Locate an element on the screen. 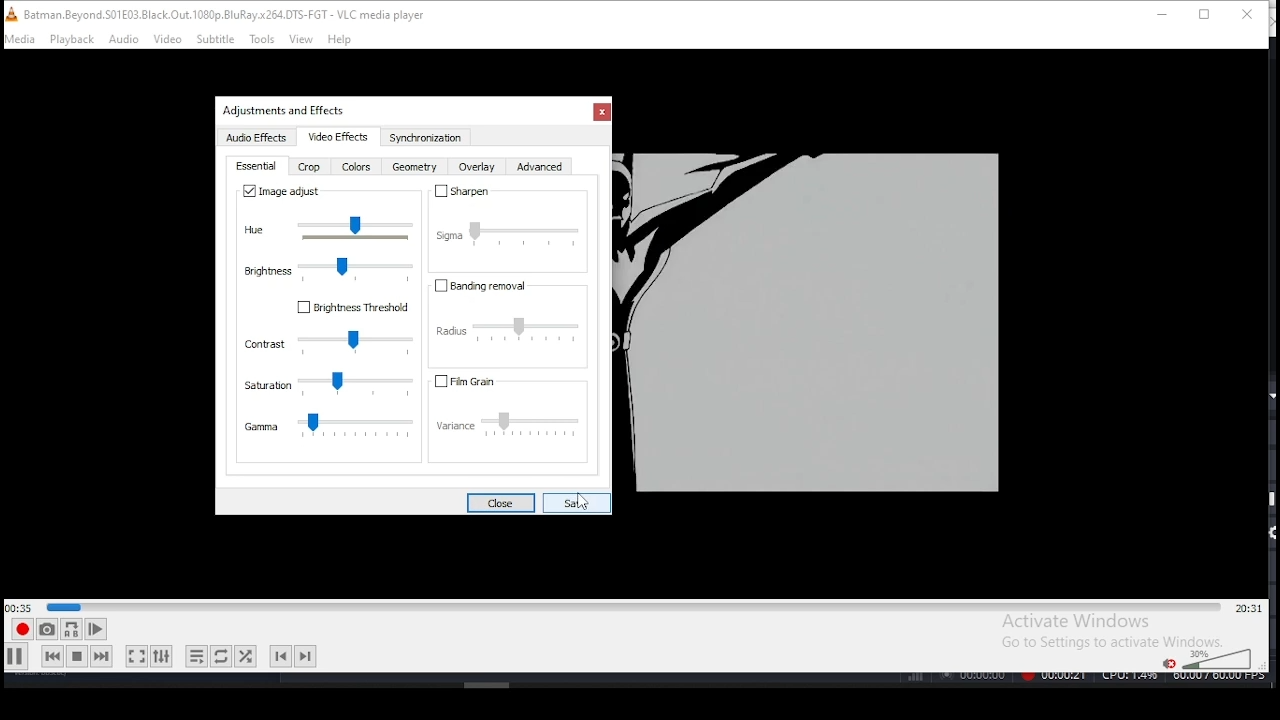 The height and width of the screenshot is (720, 1280). minimize is located at coordinates (1158, 14).